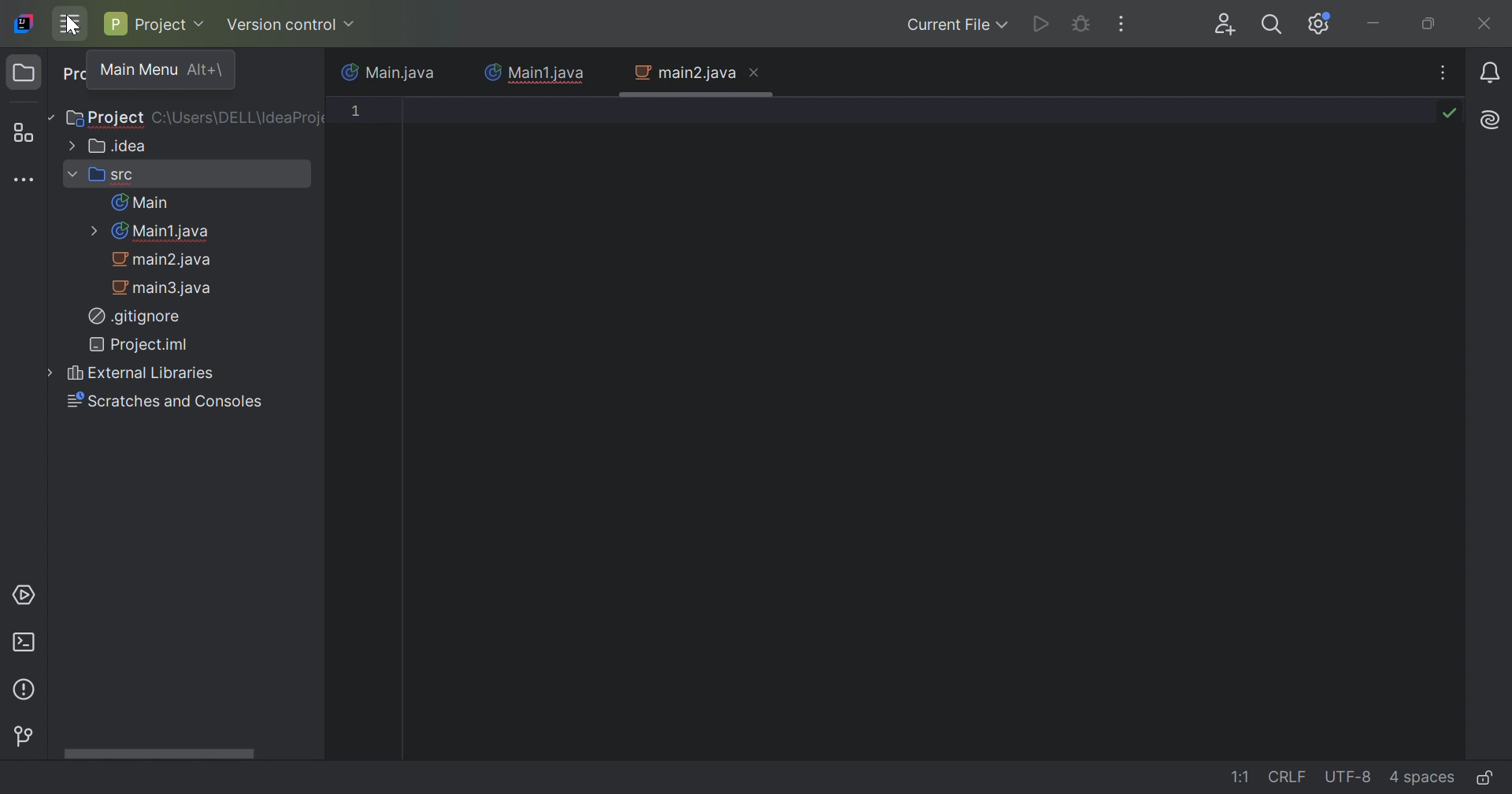 Image resolution: width=1512 pixels, height=794 pixels. I want to click on Main1.java, so click(533, 72).